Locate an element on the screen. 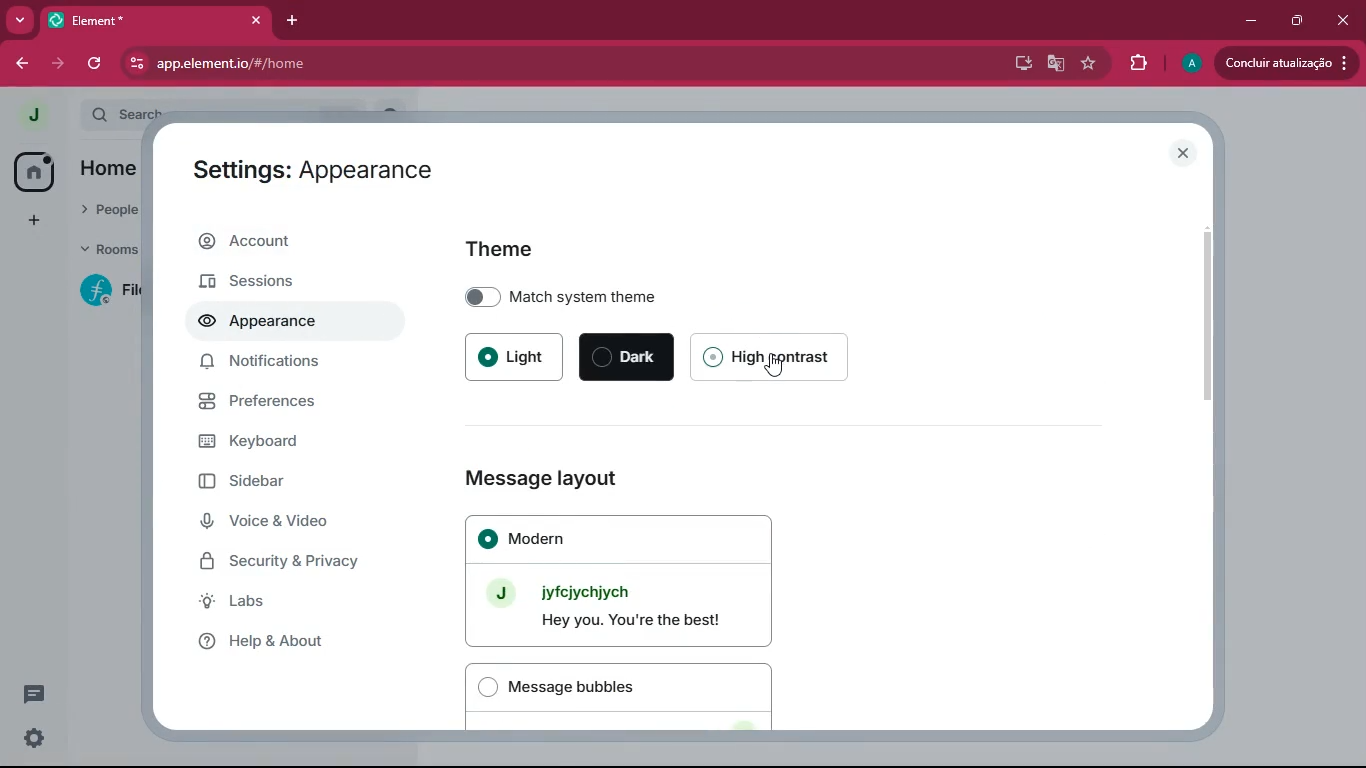 The width and height of the screenshot is (1366, 768). google translate is located at coordinates (1054, 64).